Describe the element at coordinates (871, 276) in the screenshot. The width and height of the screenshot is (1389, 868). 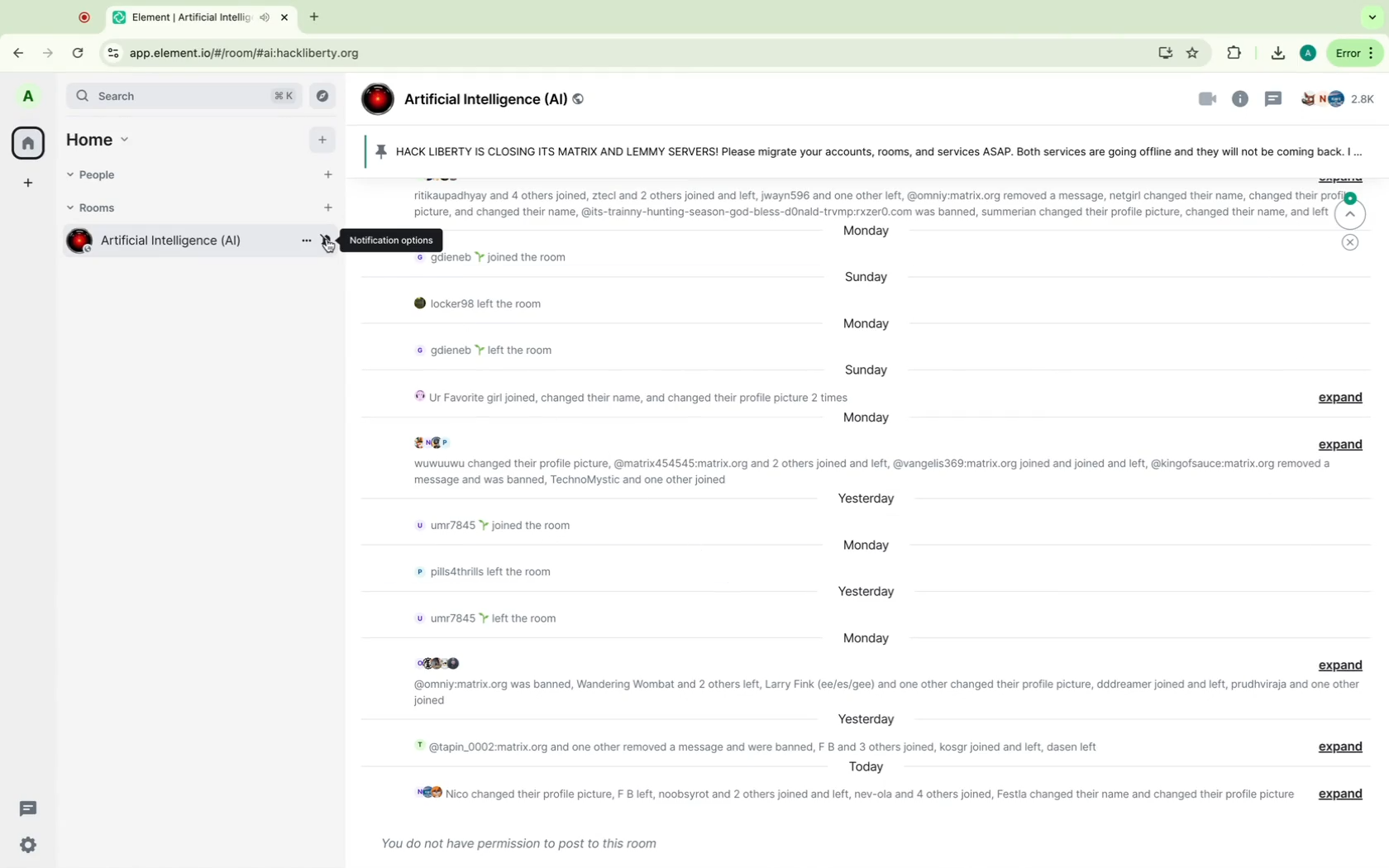
I see `day` at that location.